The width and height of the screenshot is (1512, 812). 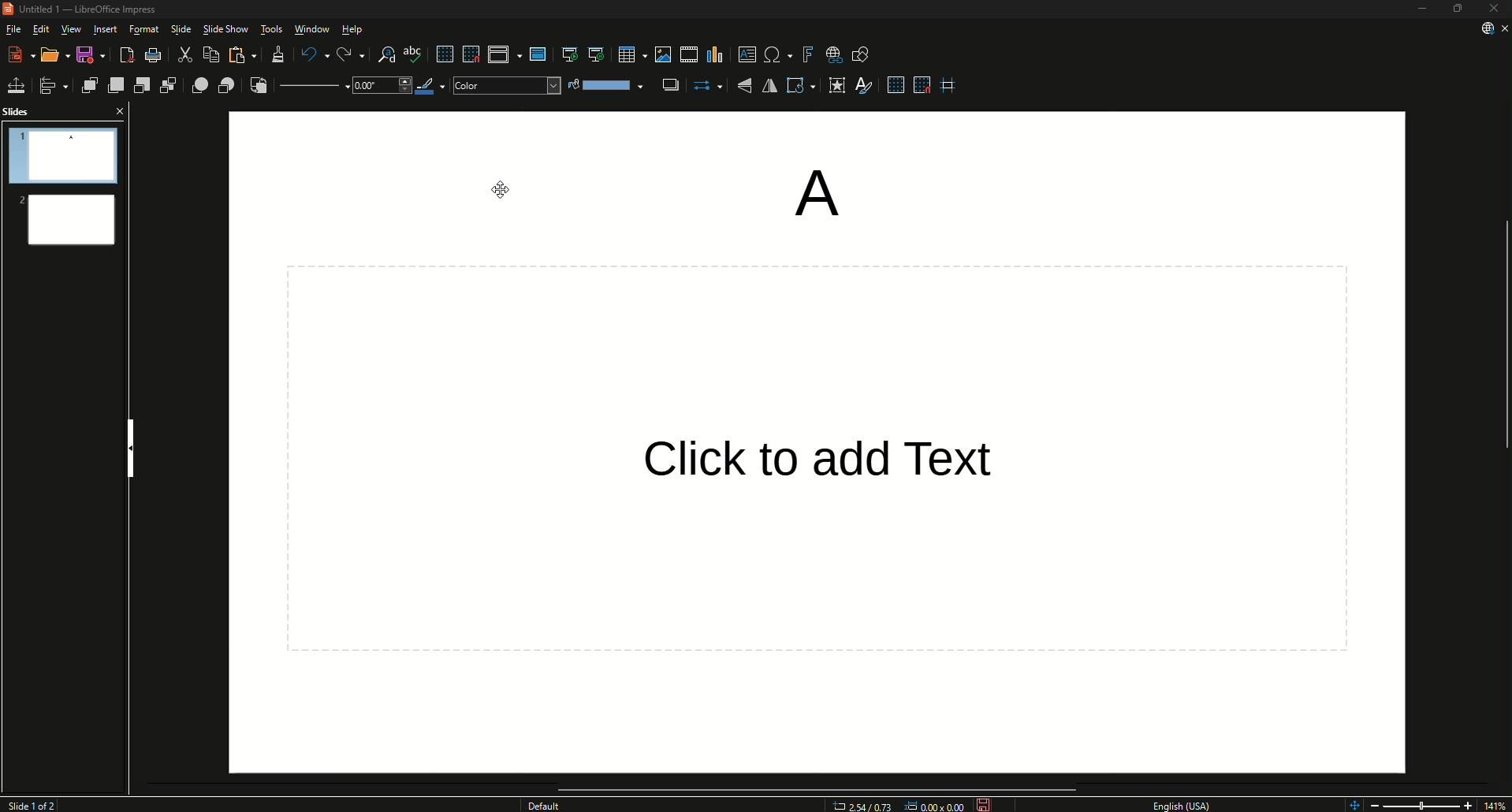 What do you see at coordinates (628, 52) in the screenshot?
I see `Table` at bounding box center [628, 52].